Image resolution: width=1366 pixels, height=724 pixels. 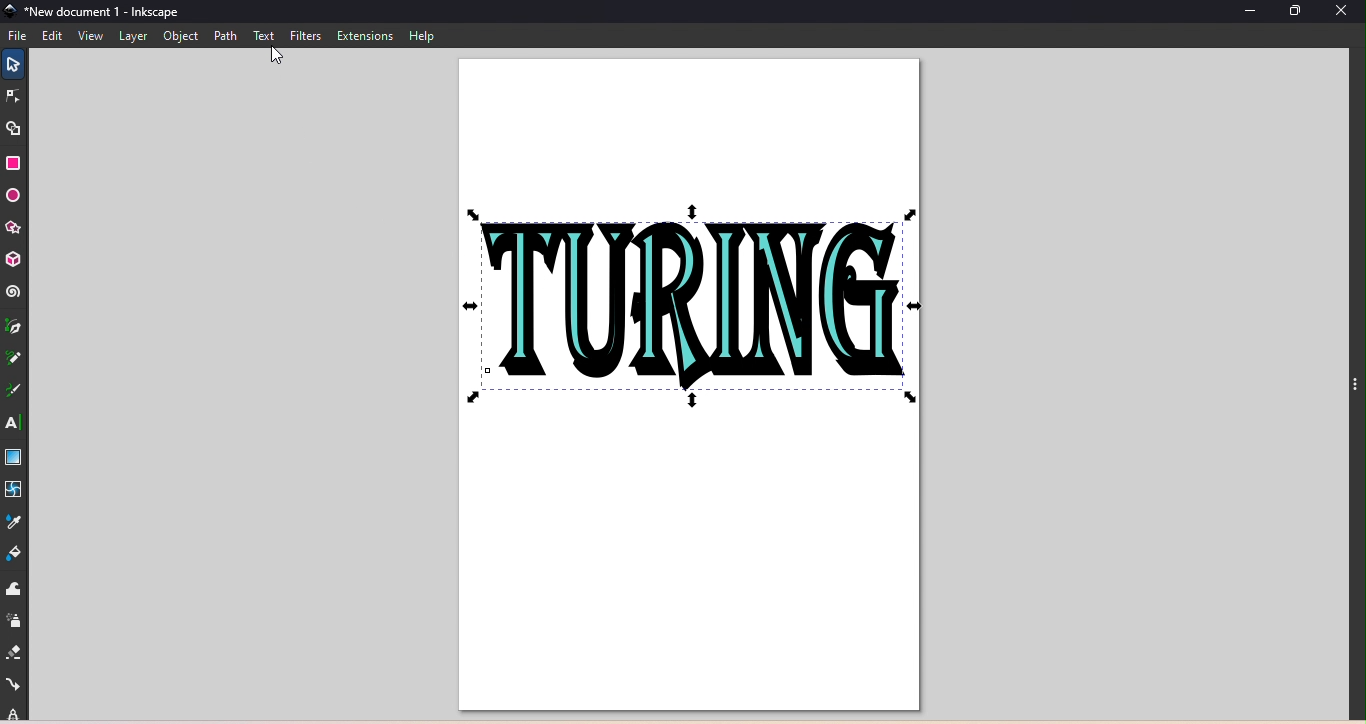 I want to click on Spiral tool, so click(x=13, y=292).